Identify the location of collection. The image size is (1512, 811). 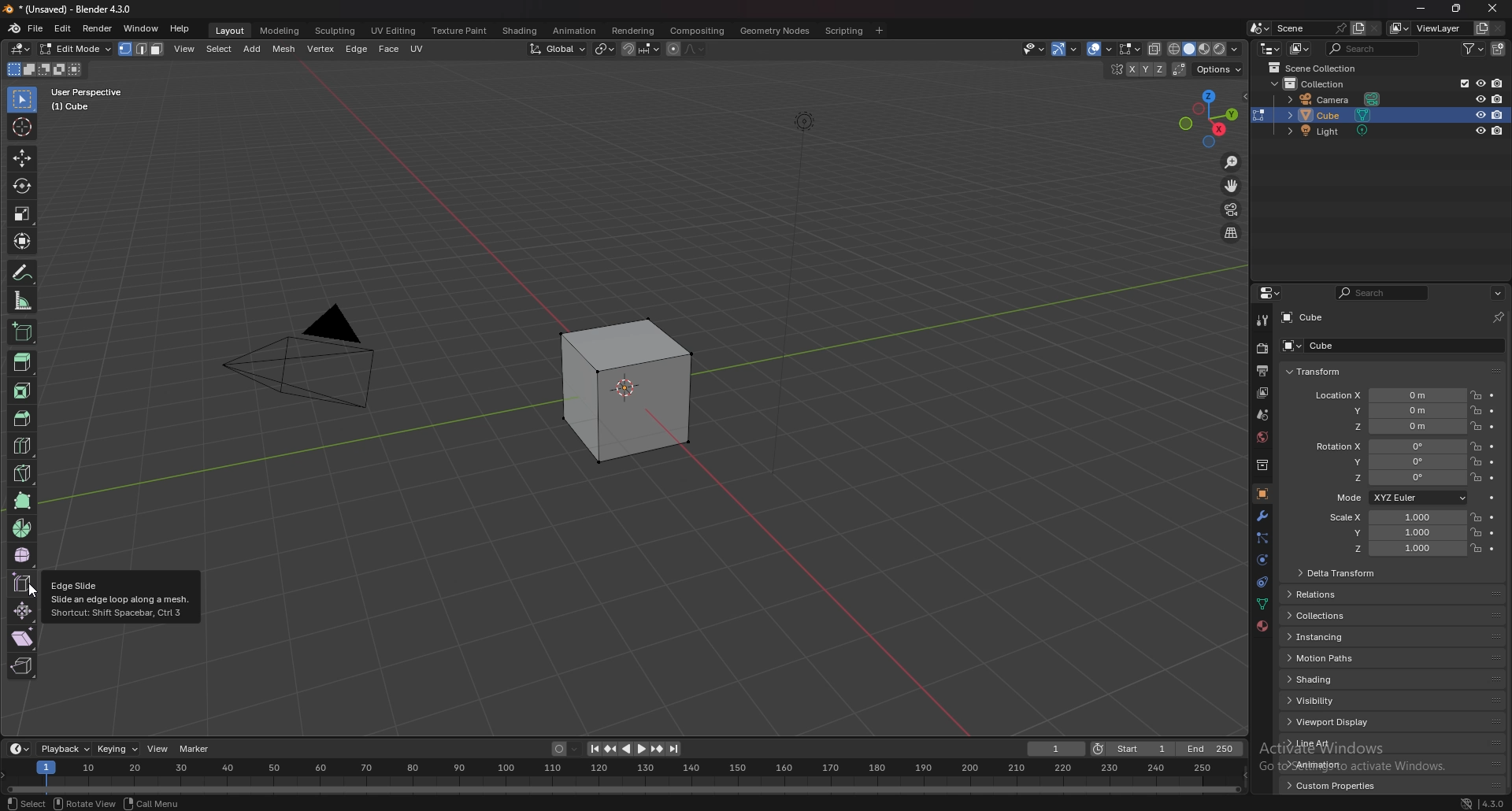
(1262, 464).